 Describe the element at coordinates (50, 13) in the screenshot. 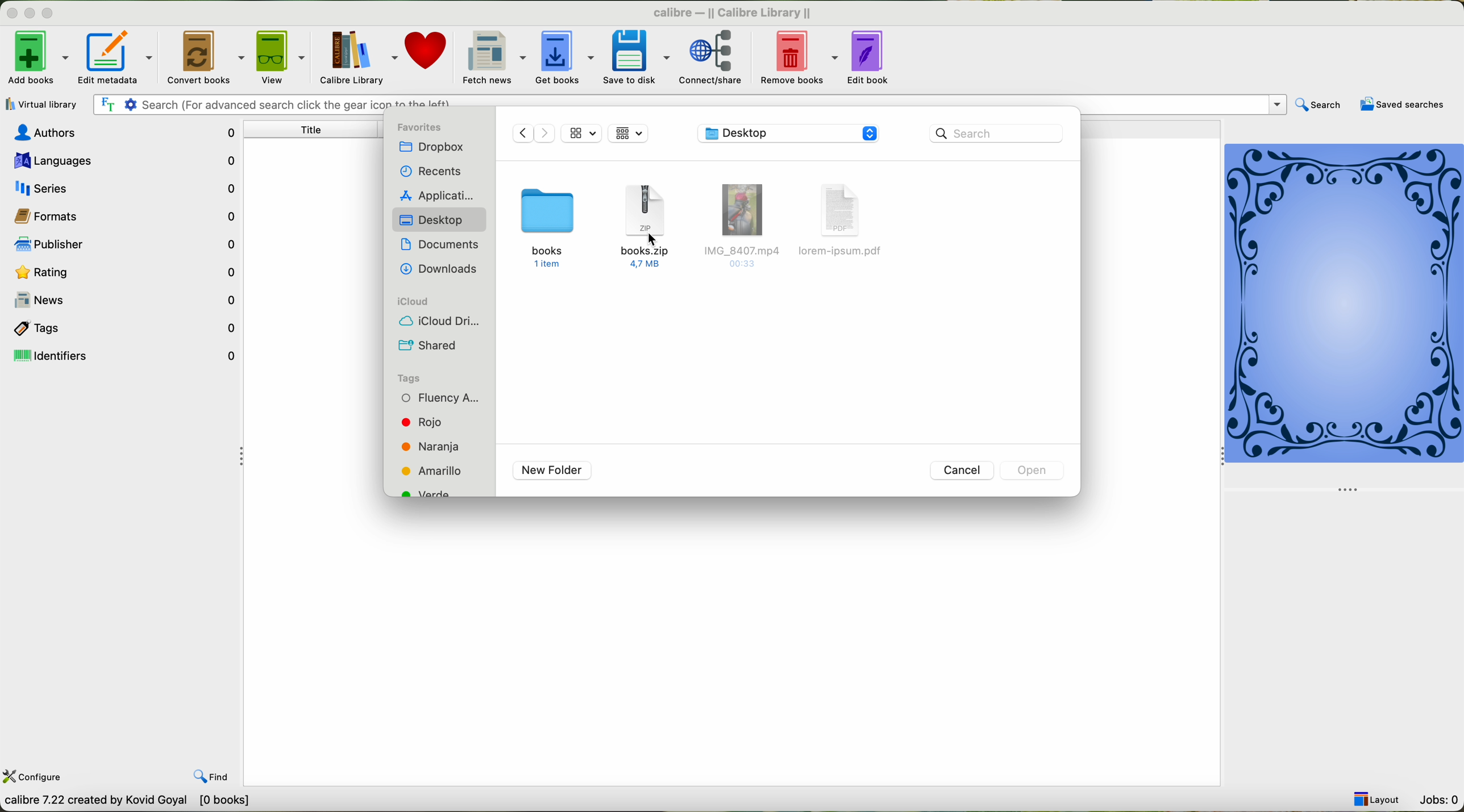

I see `maximize` at that location.